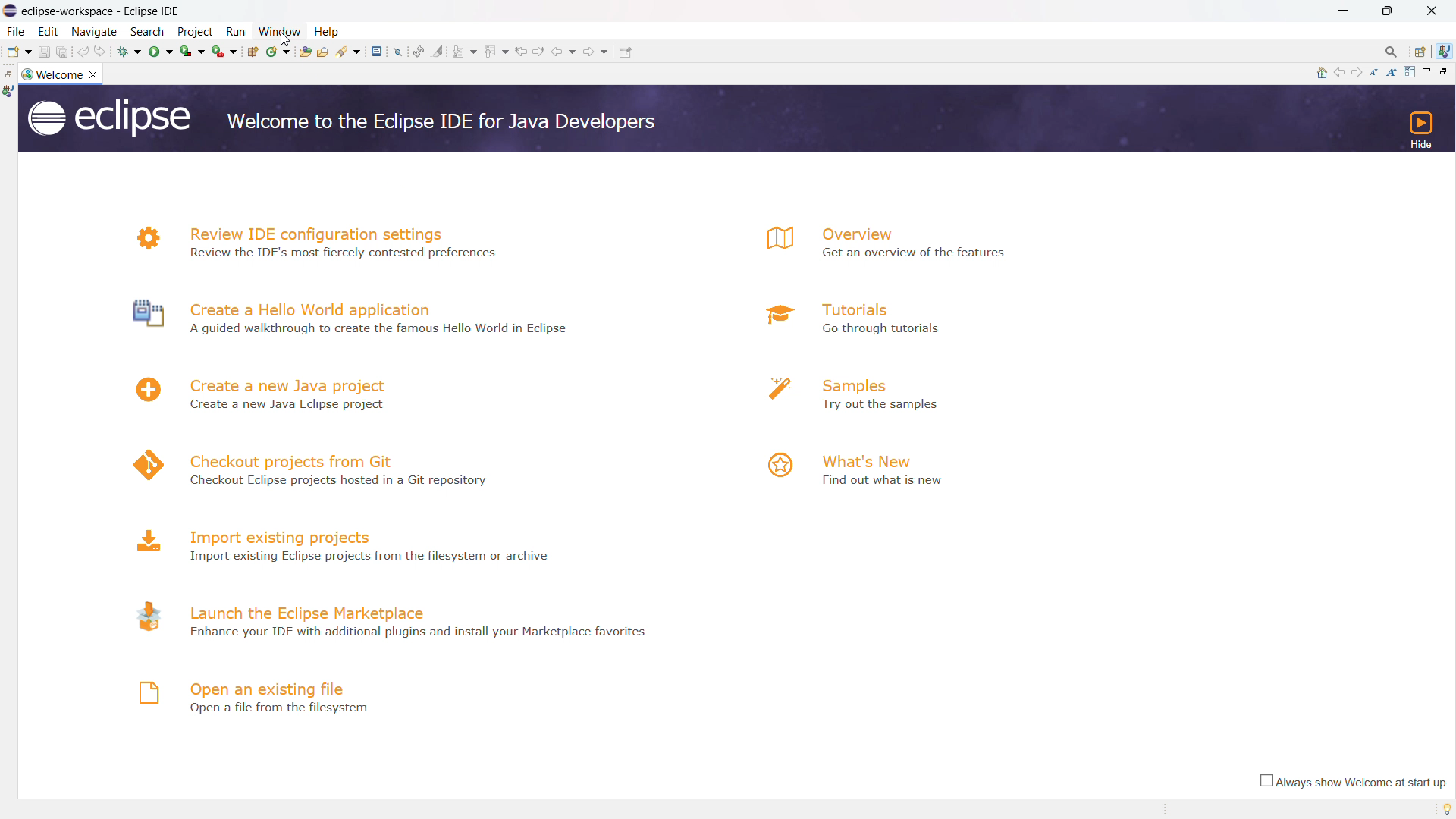 This screenshot has height=819, width=1456. I want to click on logo, so click(140, 238).